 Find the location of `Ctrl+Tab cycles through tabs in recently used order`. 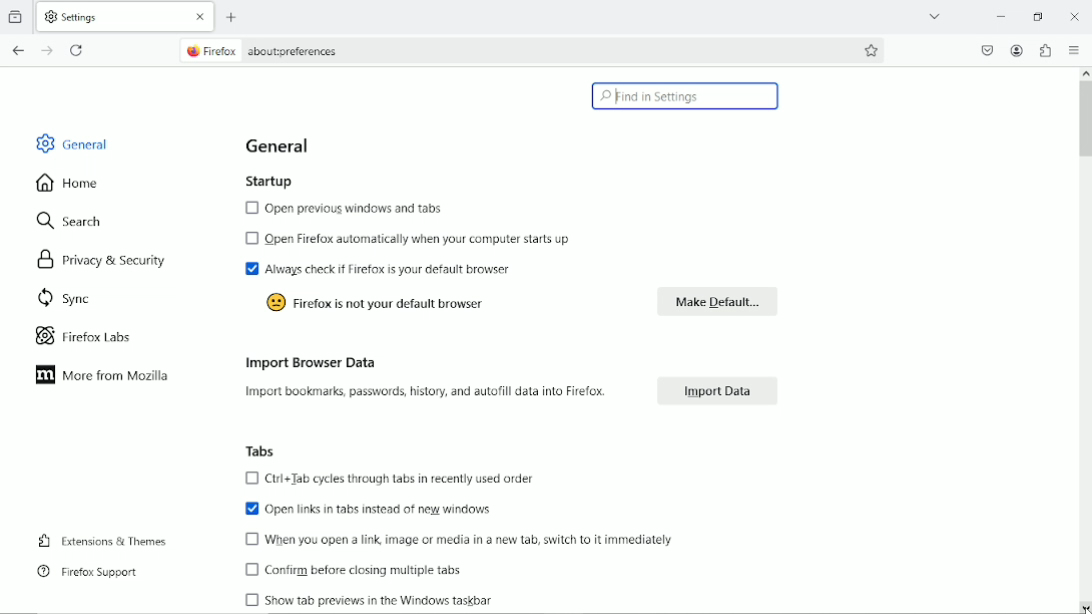

Ctrl+Tab cycles through tabs in recently used order is located at coordinates (389, 479).